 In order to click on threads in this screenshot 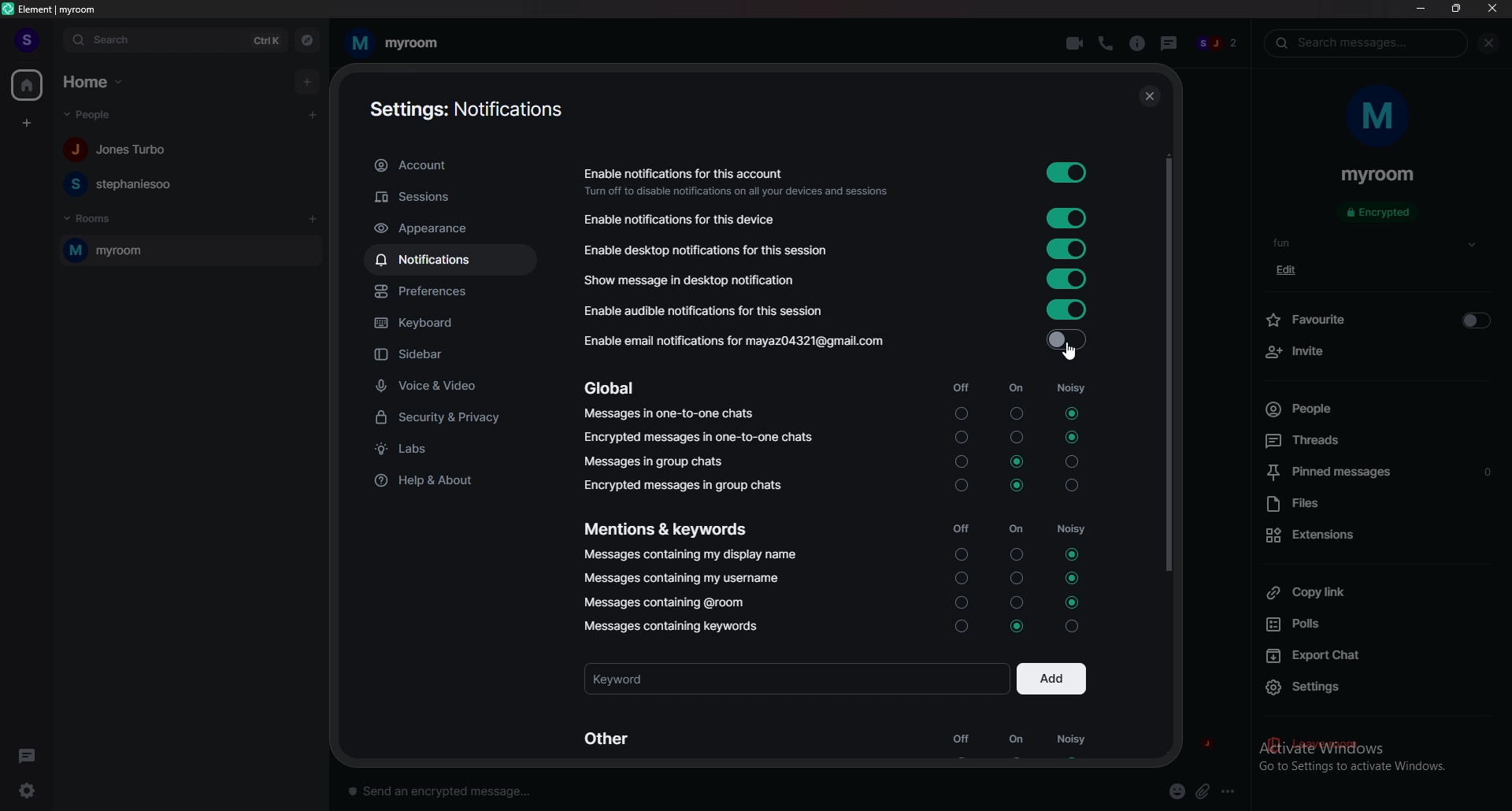, I will do `click(27, 754)`.